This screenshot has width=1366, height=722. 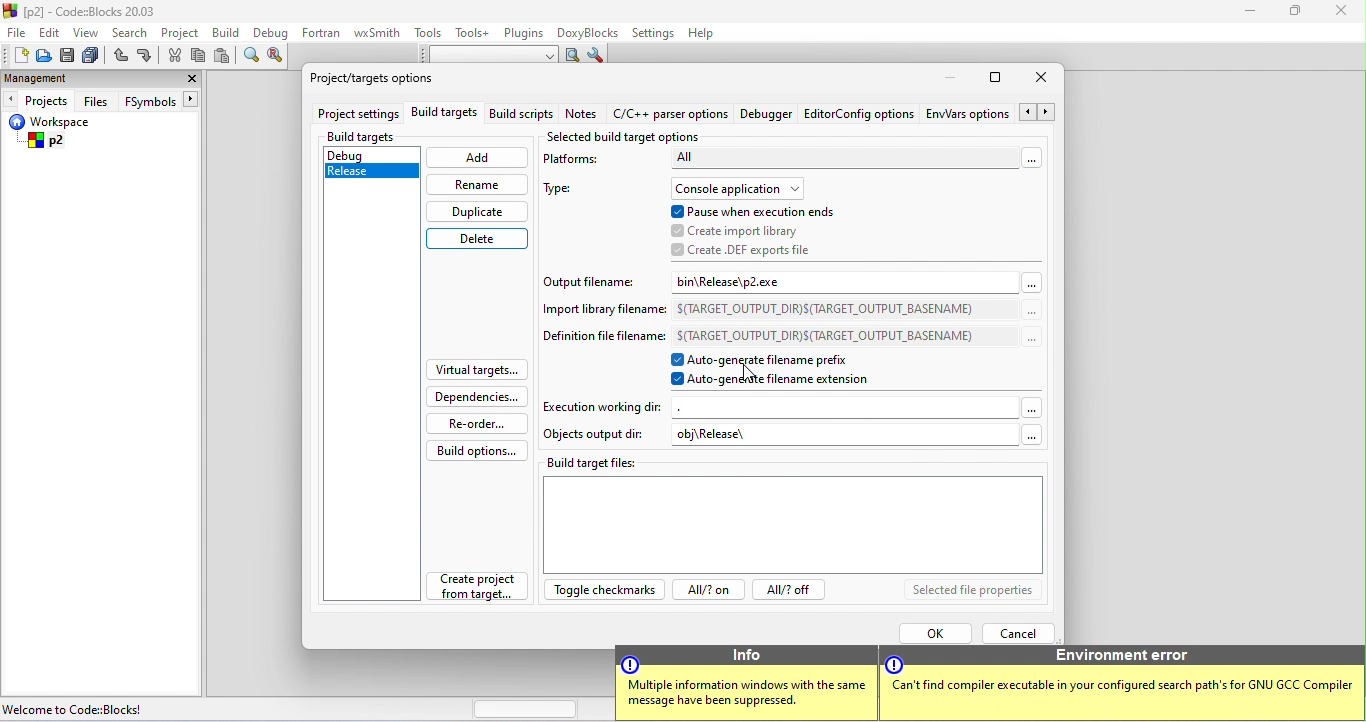 I want to click on close, so click(x=1341, y=15).